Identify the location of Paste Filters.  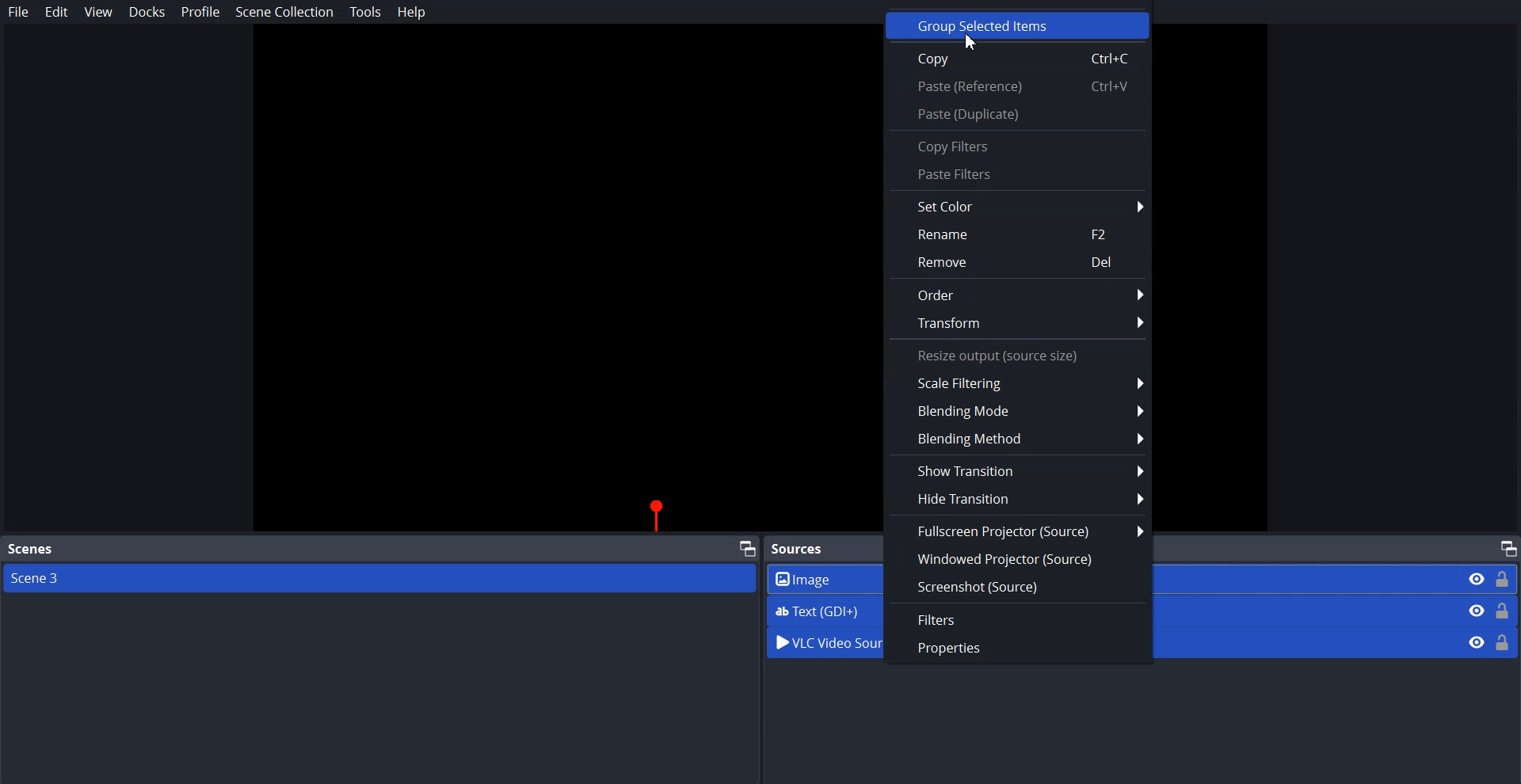
(1018, 175).